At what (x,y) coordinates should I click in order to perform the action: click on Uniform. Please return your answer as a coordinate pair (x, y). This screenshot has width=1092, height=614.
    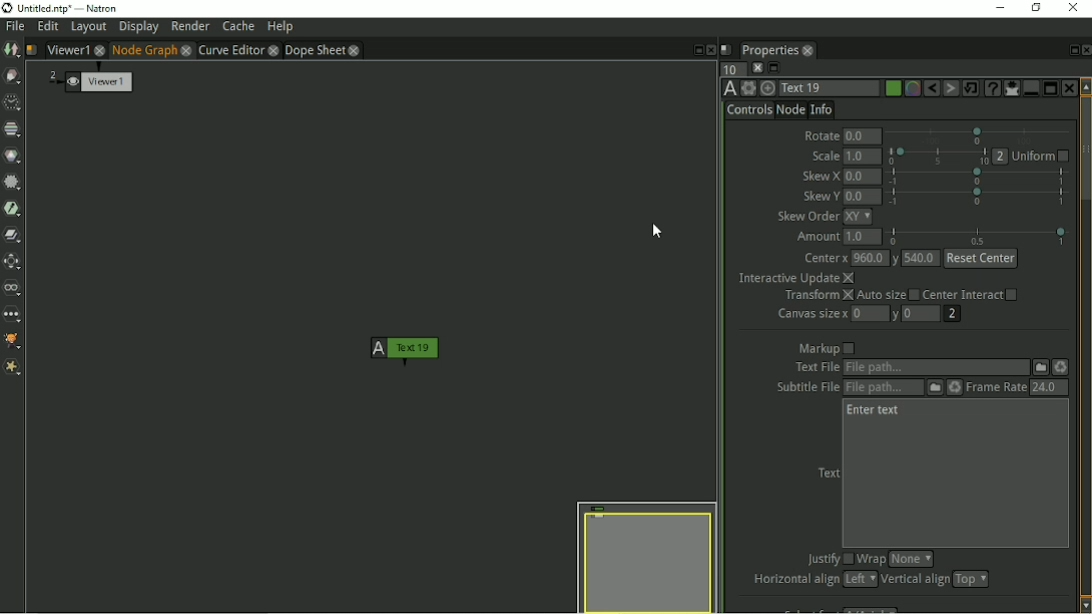
    Looking at the image, I should click on (1043, 156).